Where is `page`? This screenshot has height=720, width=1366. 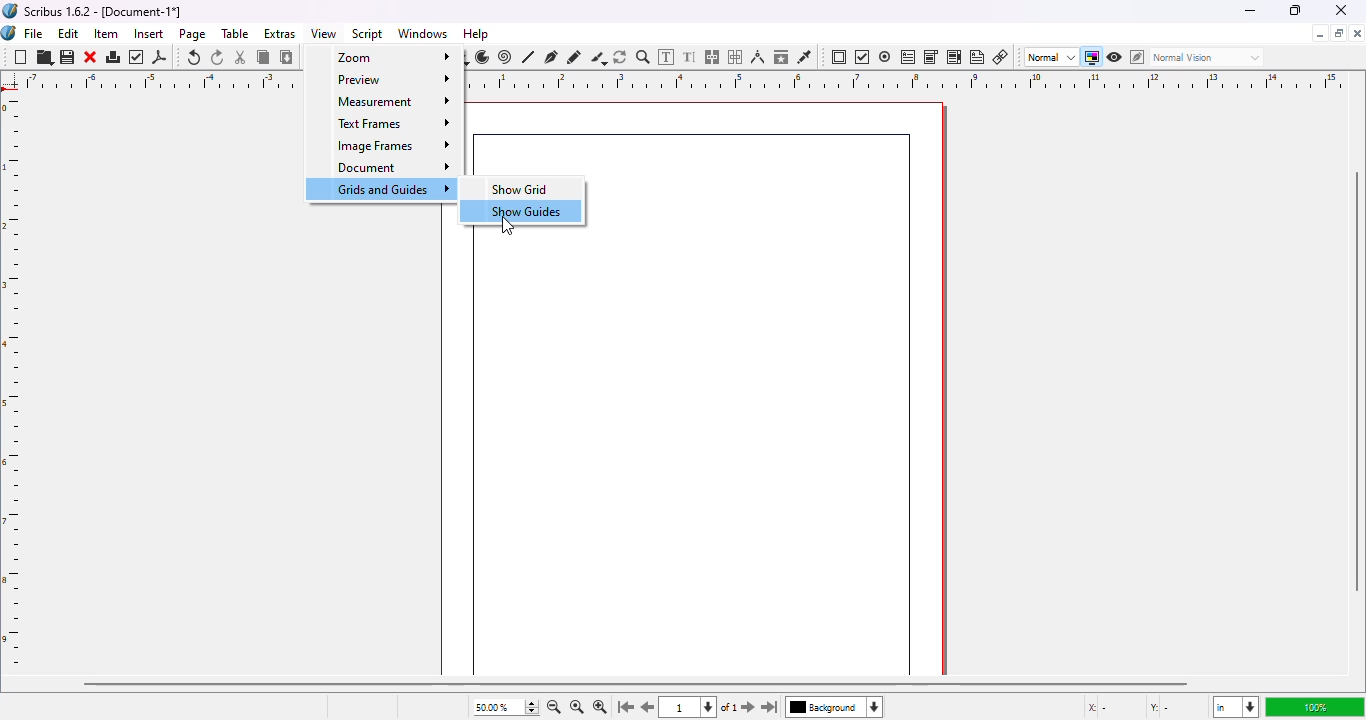
page is located at coordinates (194, 34).